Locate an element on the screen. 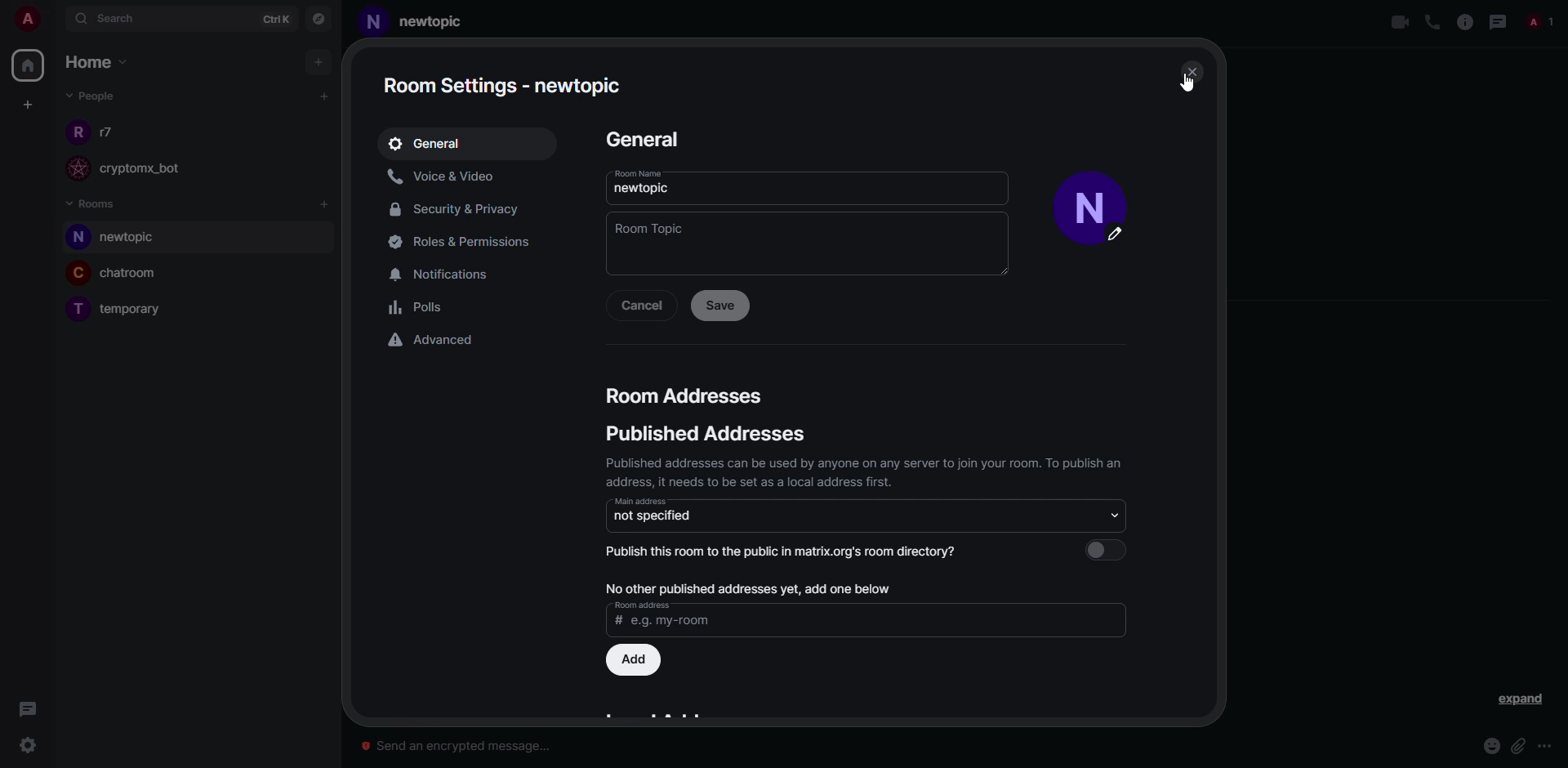  room is located at coordinates (123, 239).